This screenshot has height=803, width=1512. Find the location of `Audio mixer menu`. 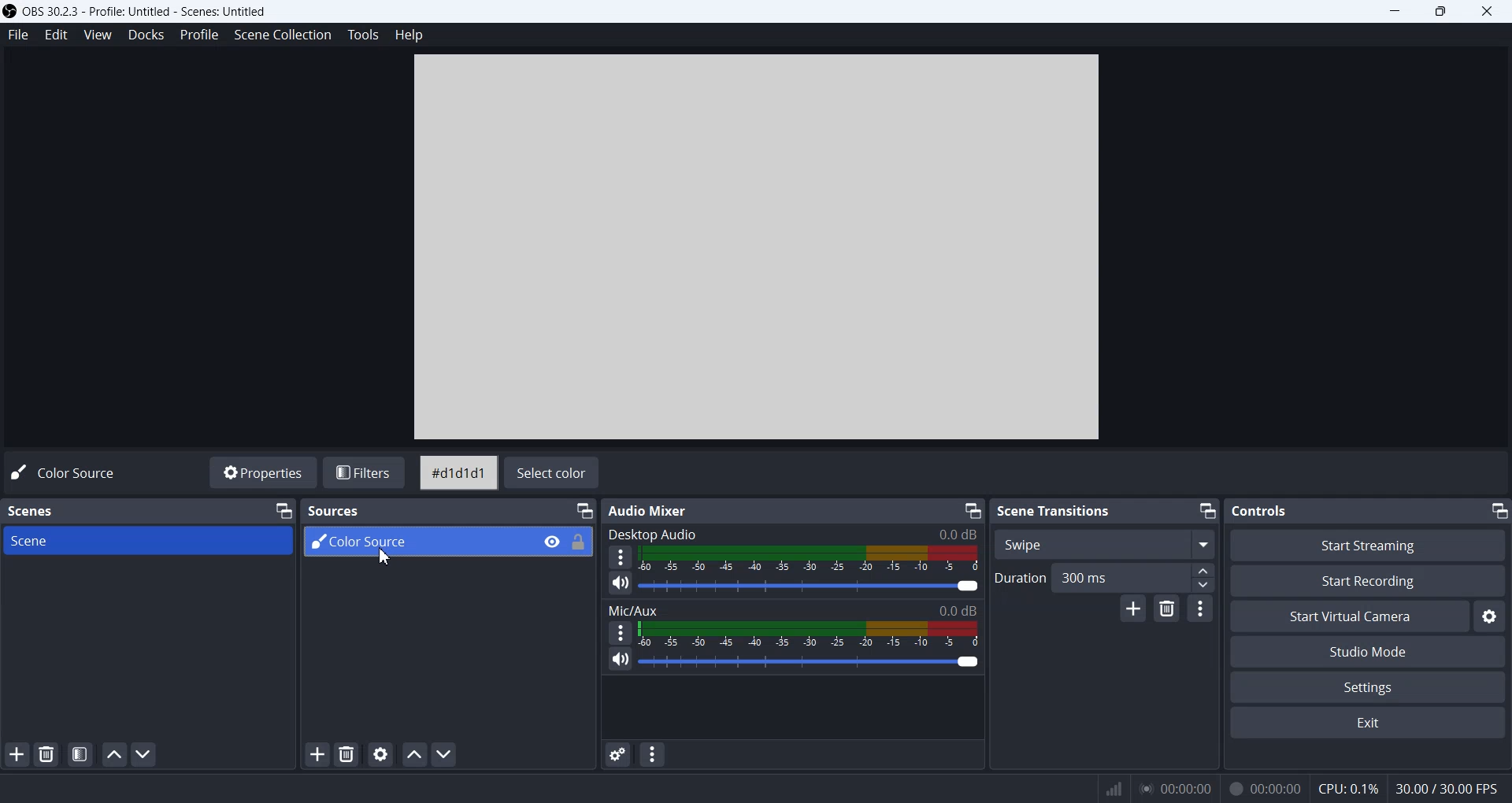

Audio mixer menu is located at coordinates (654, 754).